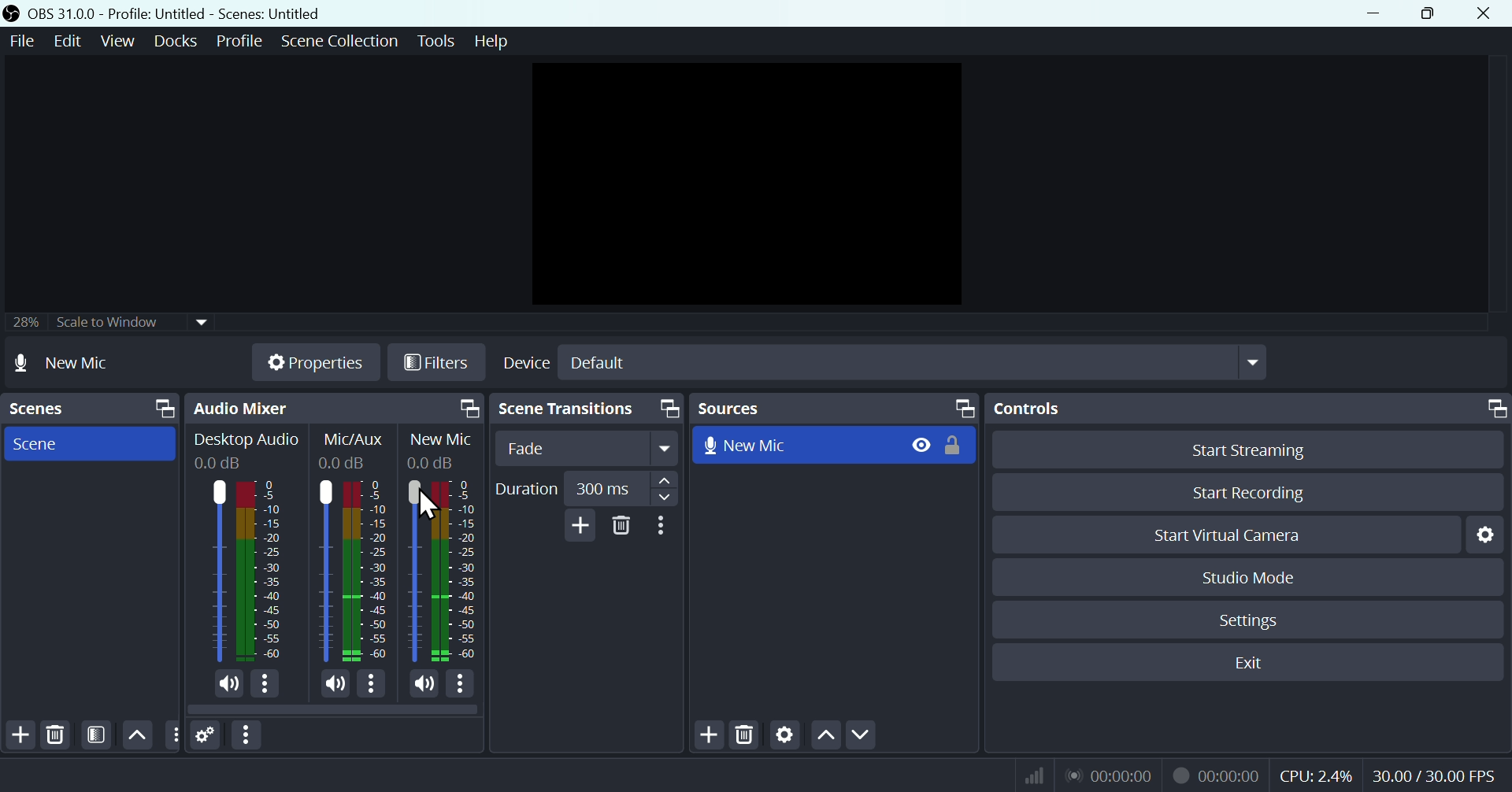 The width and height of the screenshot is (1512, 792). What do you see at coordinates (1317, 776) in the screenshot?
I see `CPU Usage` at bounding box center [1317, 776].